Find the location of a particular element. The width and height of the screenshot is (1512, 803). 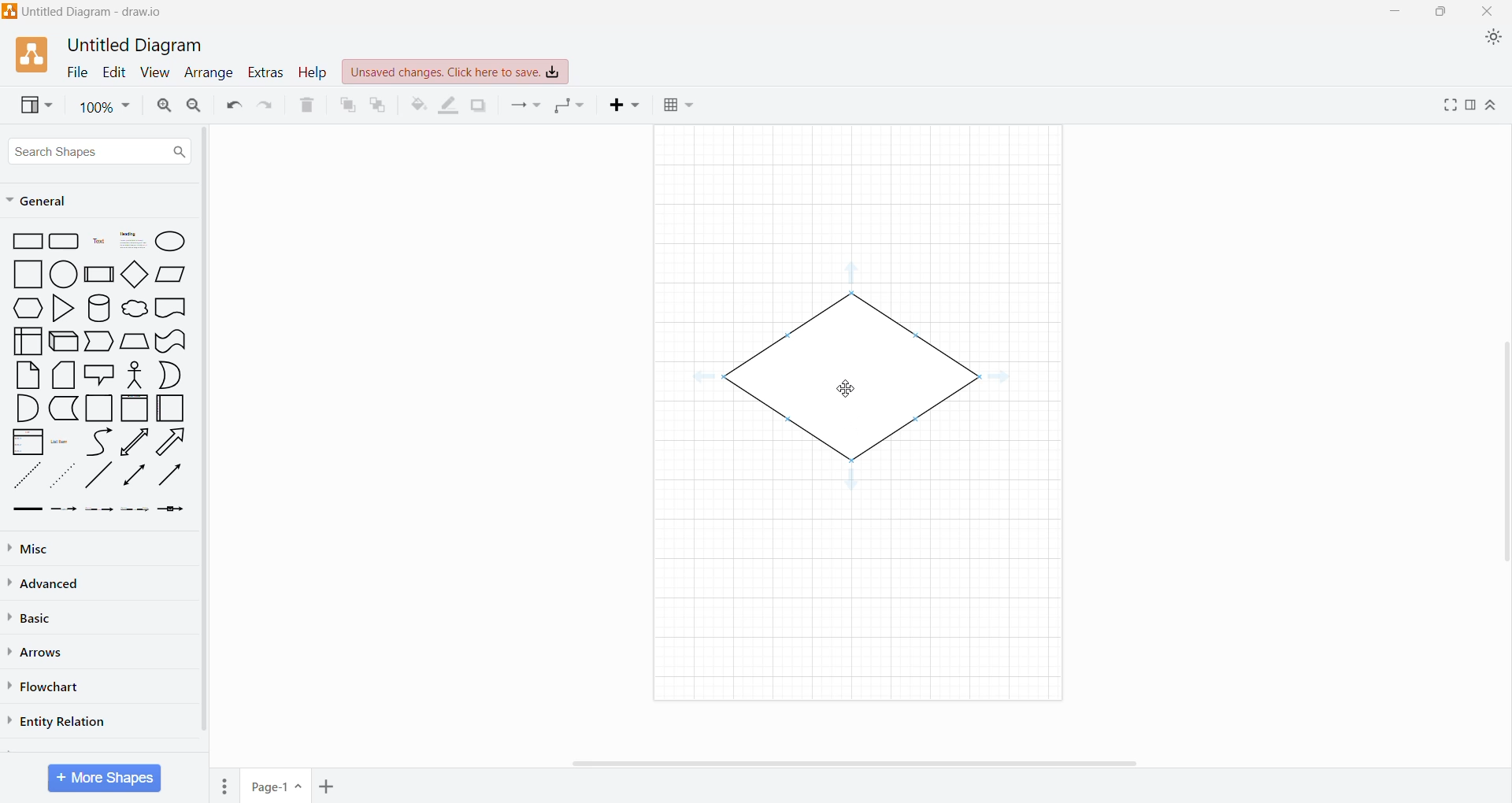

Entity Relation is located at coordinates (58, 722).